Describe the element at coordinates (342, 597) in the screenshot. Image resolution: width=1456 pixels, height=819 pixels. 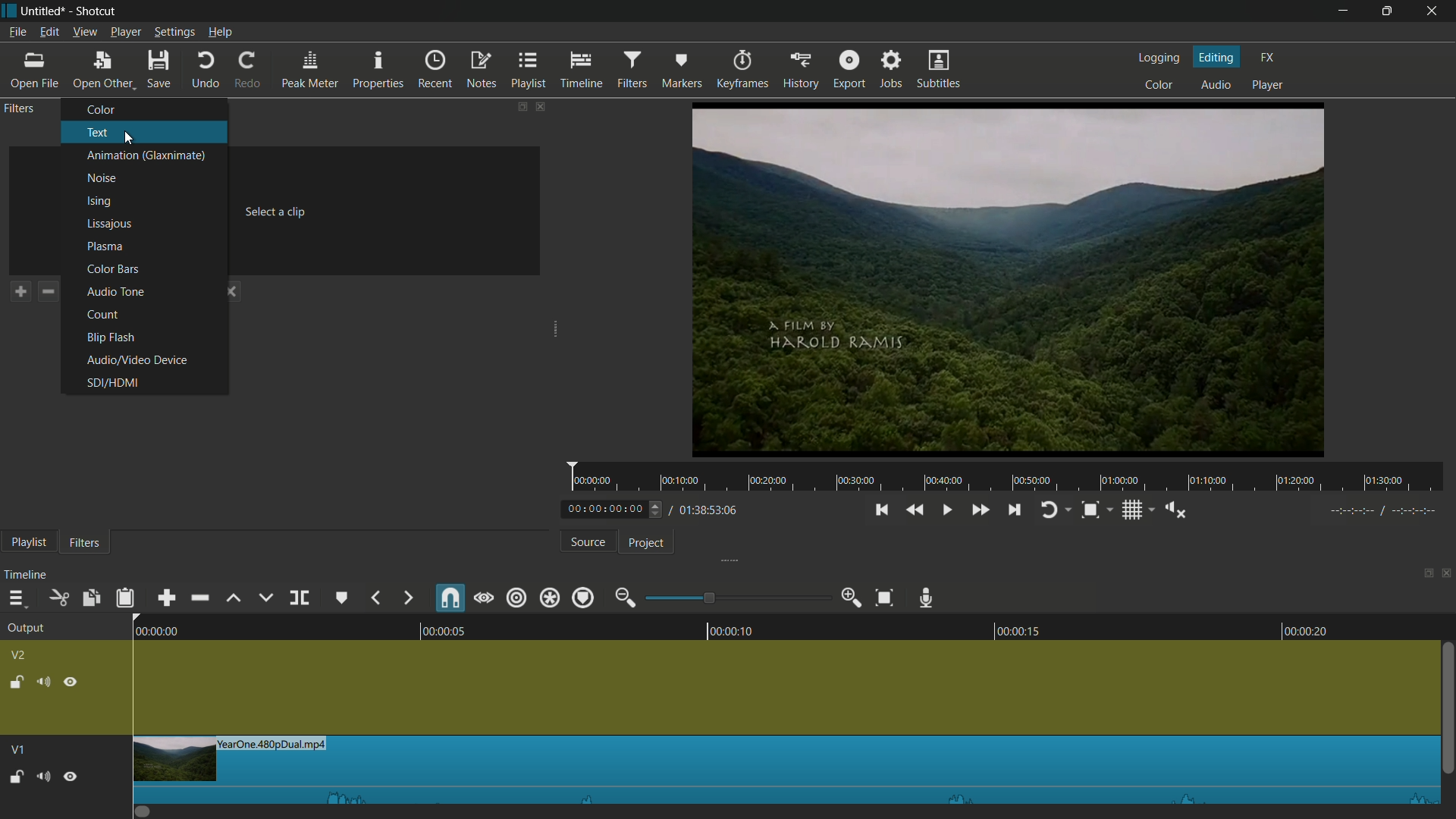
I see `create or edit marker` at that location.